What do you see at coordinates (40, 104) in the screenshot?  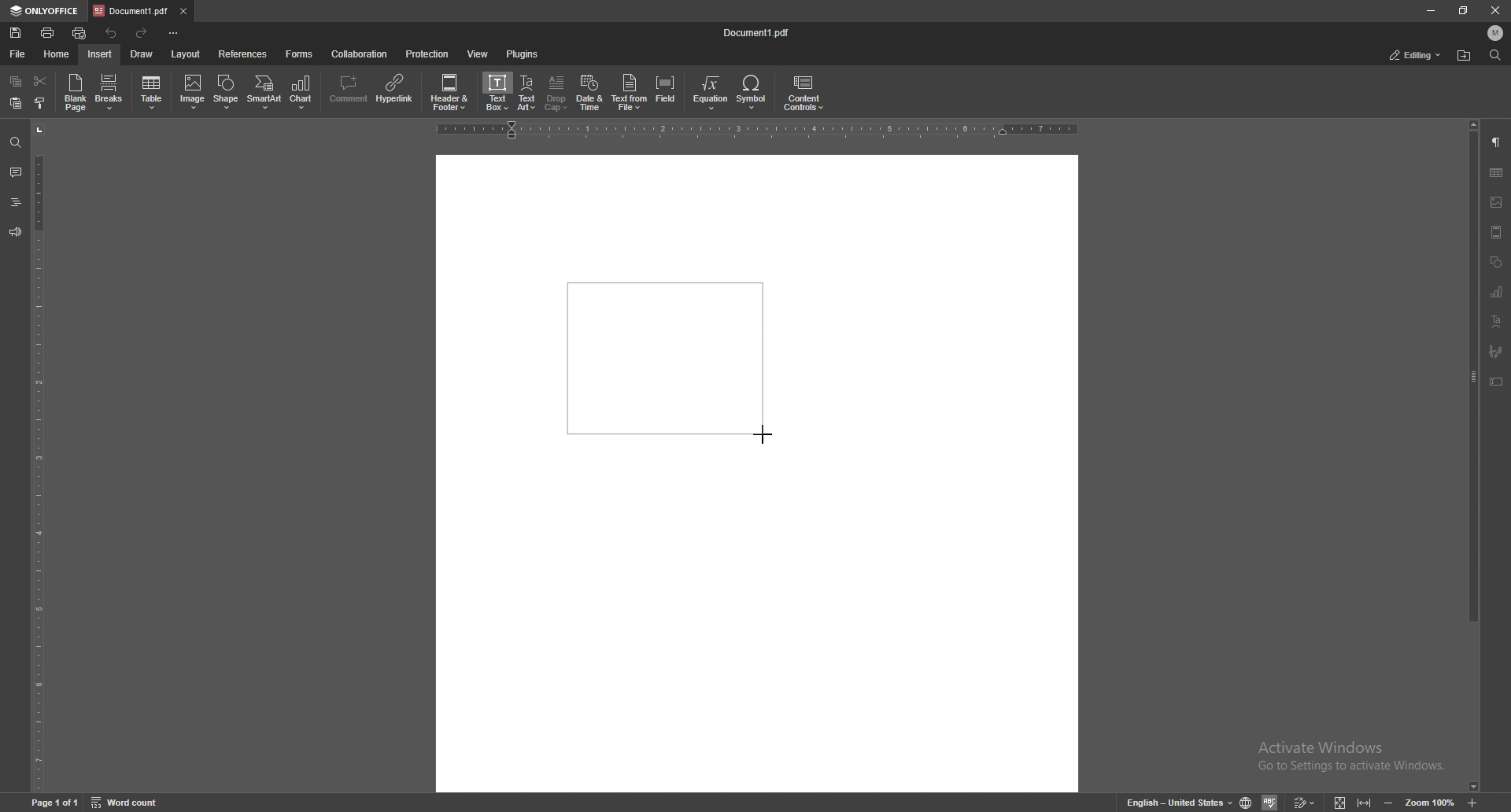 I see `copy style` at bounding box center [40, 104].